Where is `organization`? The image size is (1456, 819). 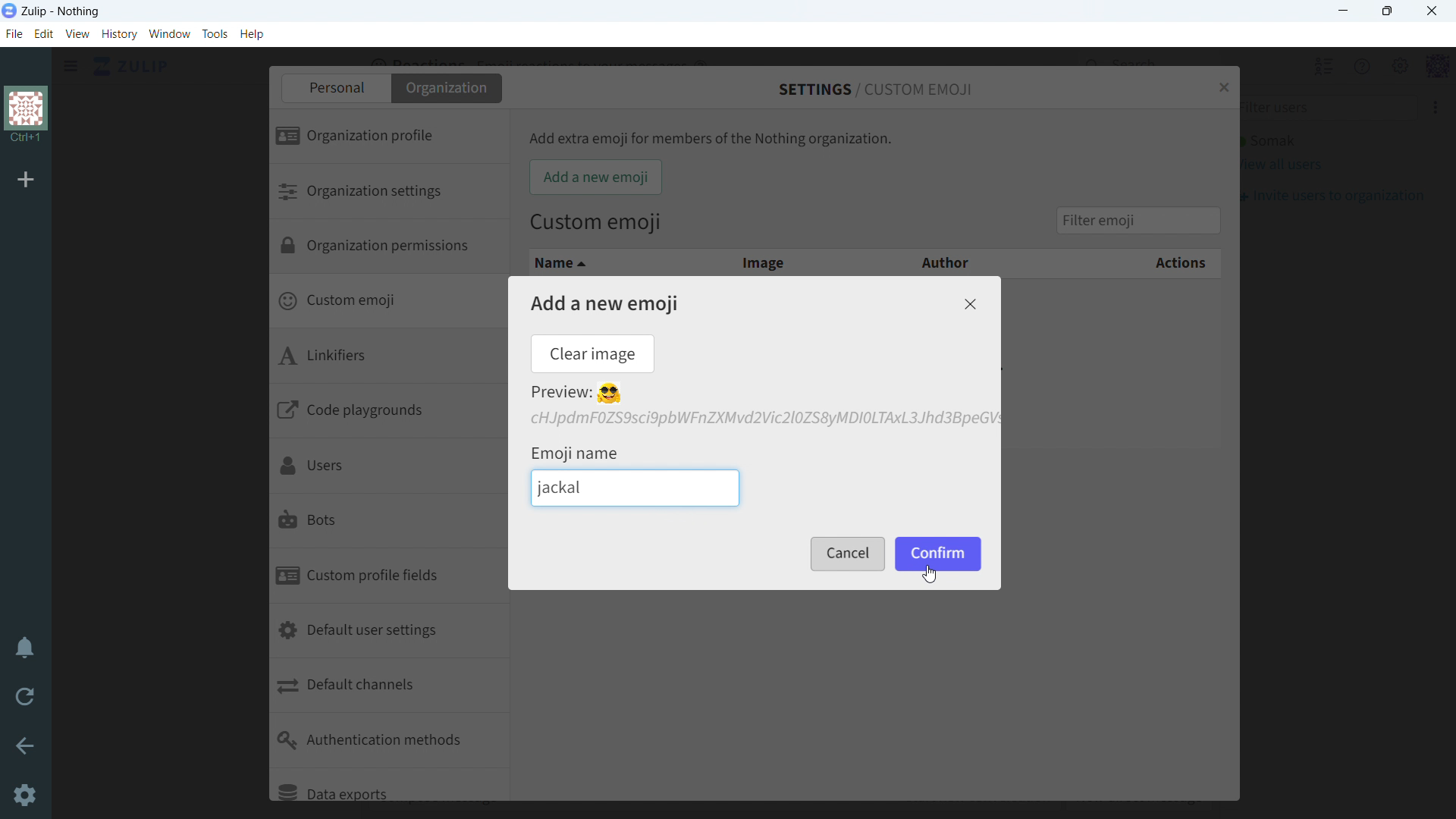
organization is located at coordinates (448, 88).